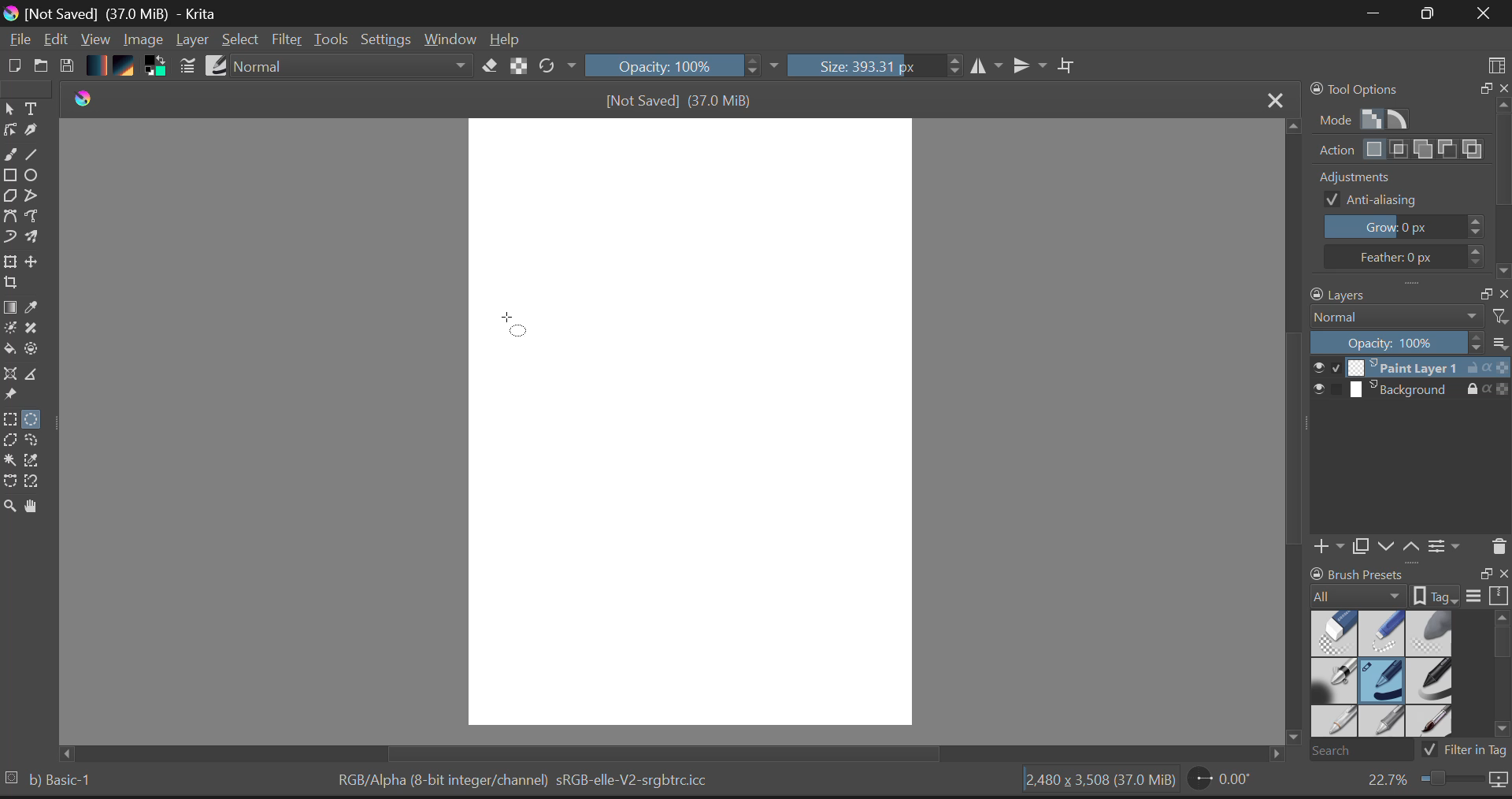 This screenshot has height=799, width=1512. I want to click on Dynamic Brush Tool, so click(9, 237).